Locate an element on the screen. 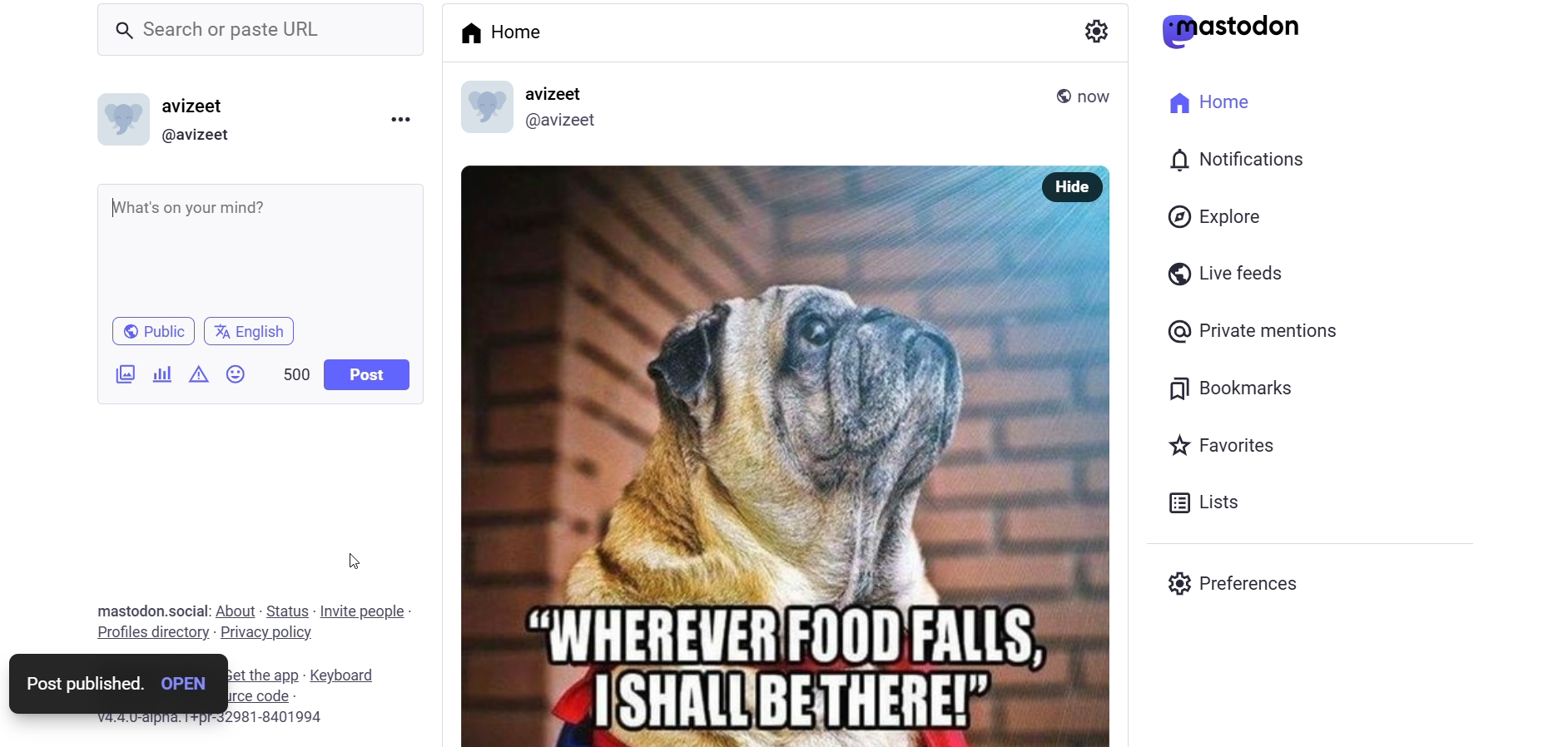 The height and width of the screenshot is (747, 1568). last modified is located at coordinates (1104, 95).